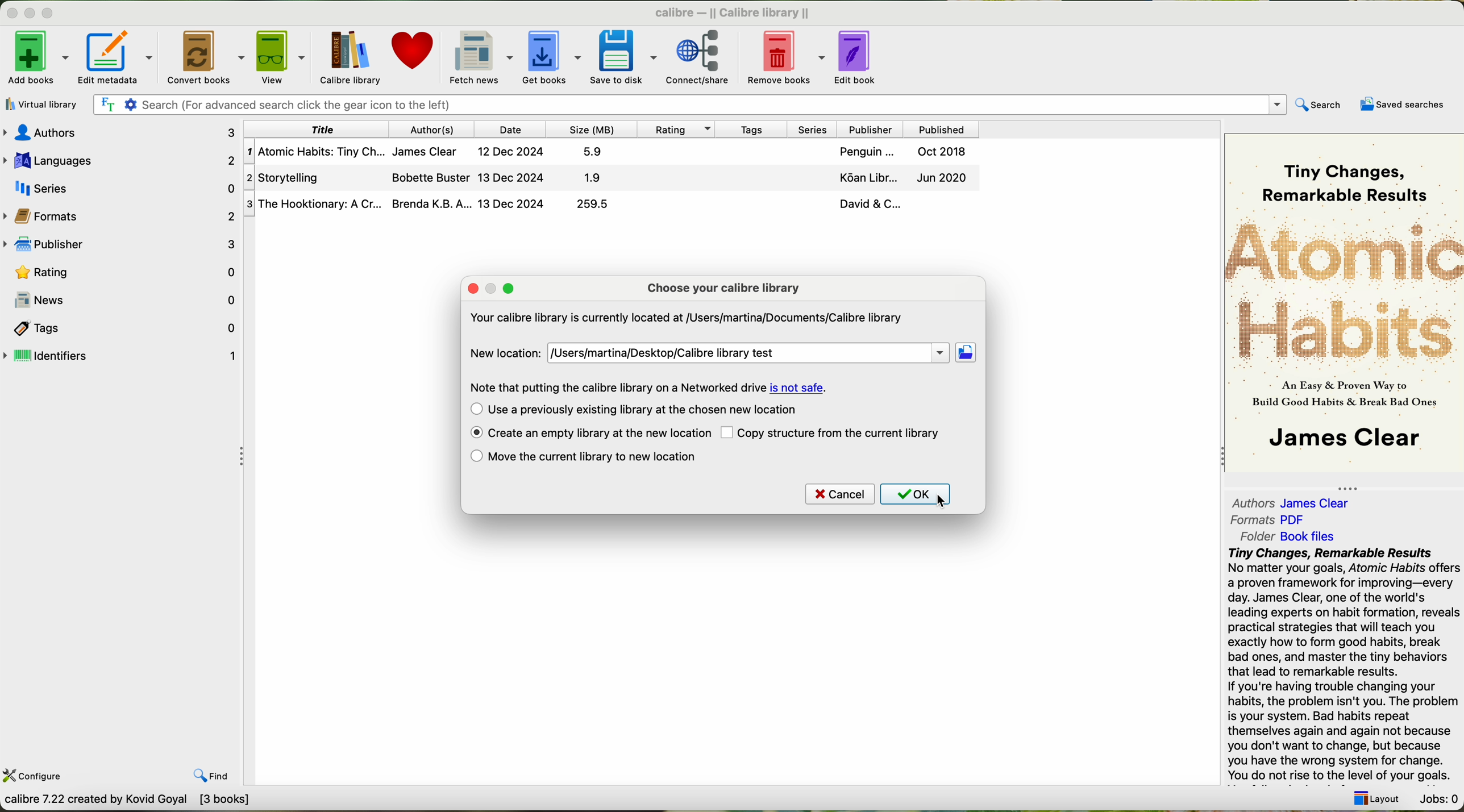 Image resolution: width=1464 pixels, height=812 pixels. I want to click on series, so click(120, 186).